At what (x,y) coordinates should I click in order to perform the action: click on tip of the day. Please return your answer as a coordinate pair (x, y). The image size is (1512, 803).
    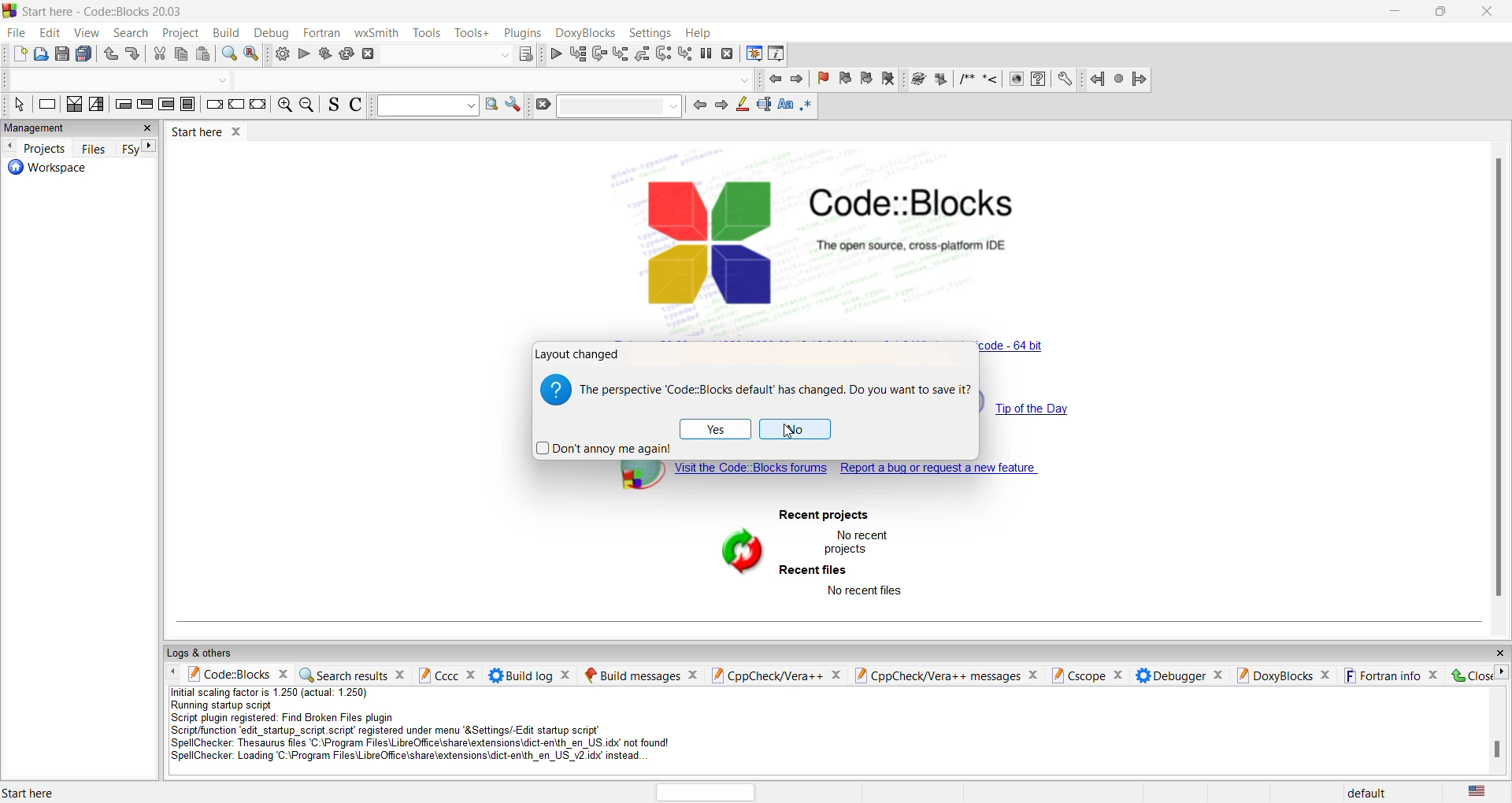
    Looking at the image, I should click on (1036, 407).